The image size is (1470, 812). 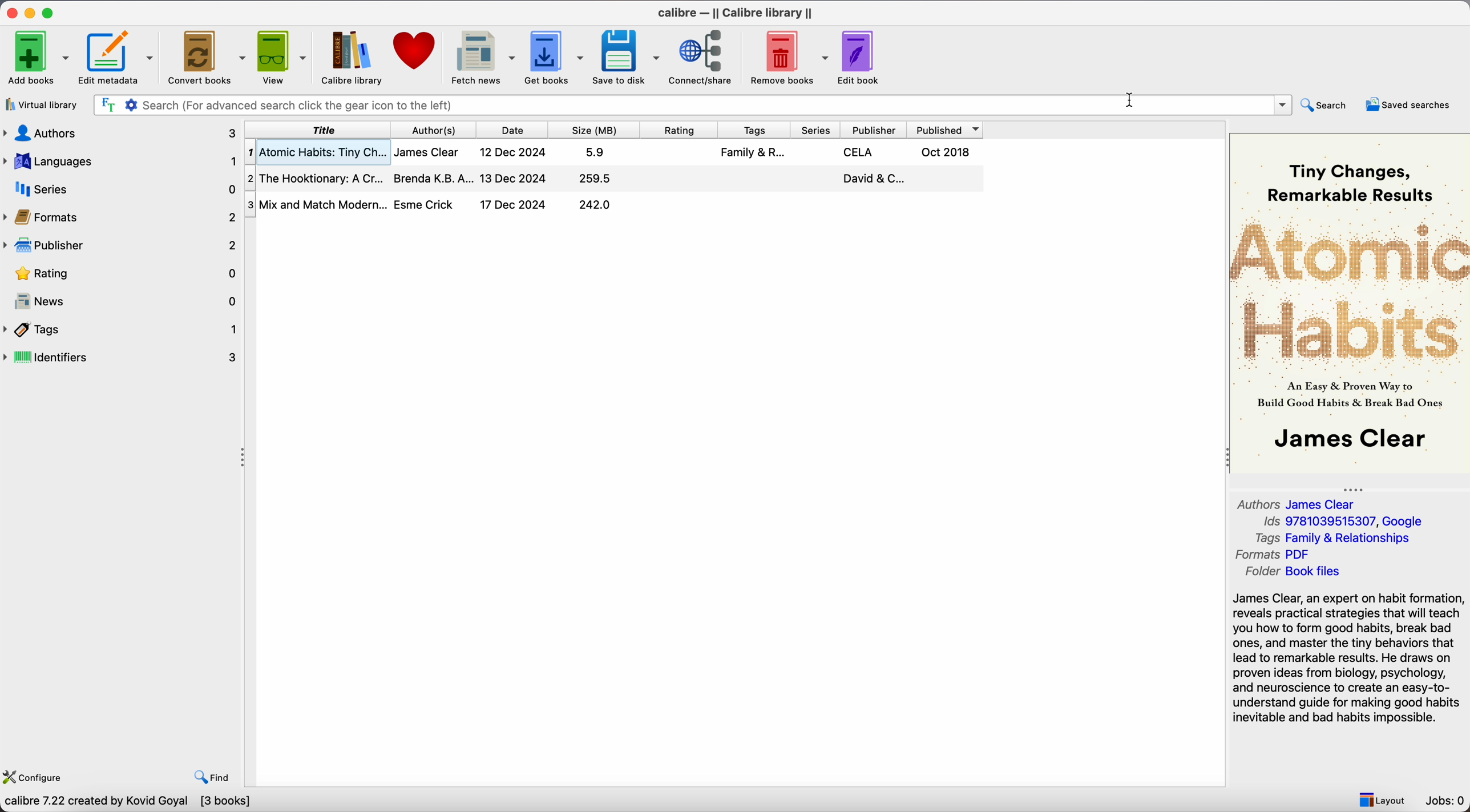 What do you see at coordinates (513, 152) in the screenshot?
I see `12 Dec 2024` at bounding box center [513, 152].